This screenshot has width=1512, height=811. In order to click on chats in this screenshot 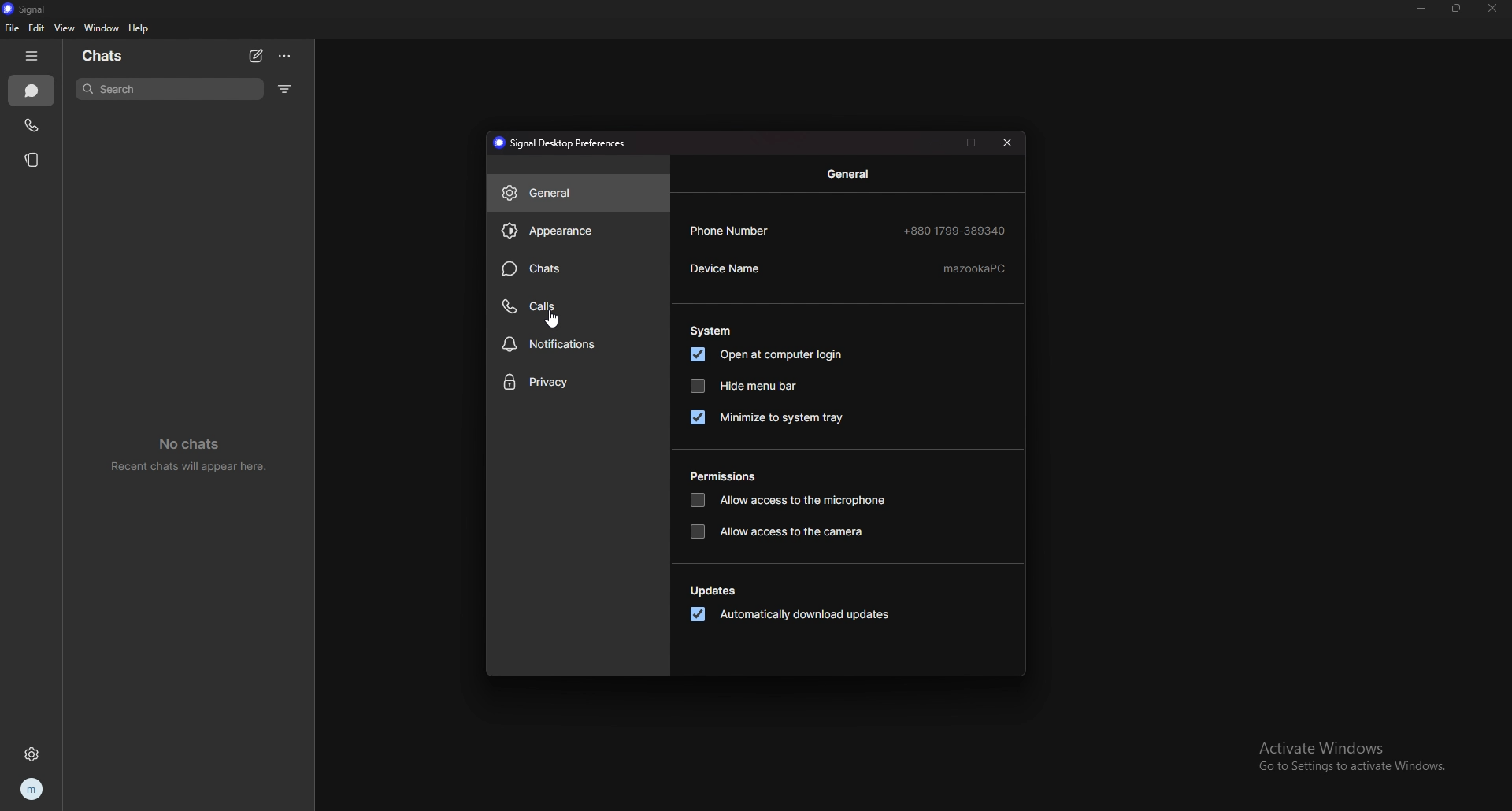, I will do `click(579, 268)`.